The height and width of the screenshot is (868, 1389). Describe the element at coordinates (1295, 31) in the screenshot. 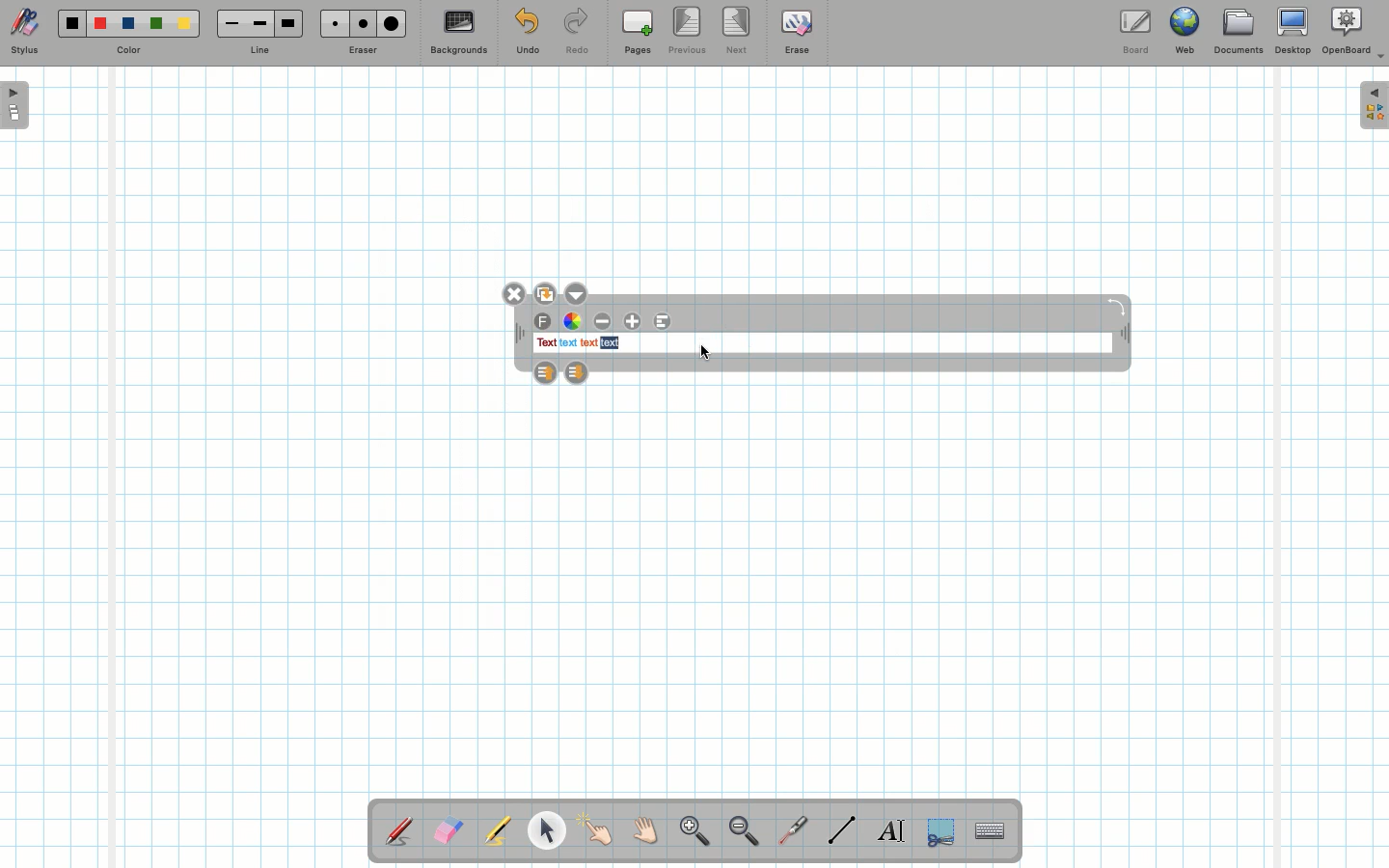

I see `Desktop` at that location.